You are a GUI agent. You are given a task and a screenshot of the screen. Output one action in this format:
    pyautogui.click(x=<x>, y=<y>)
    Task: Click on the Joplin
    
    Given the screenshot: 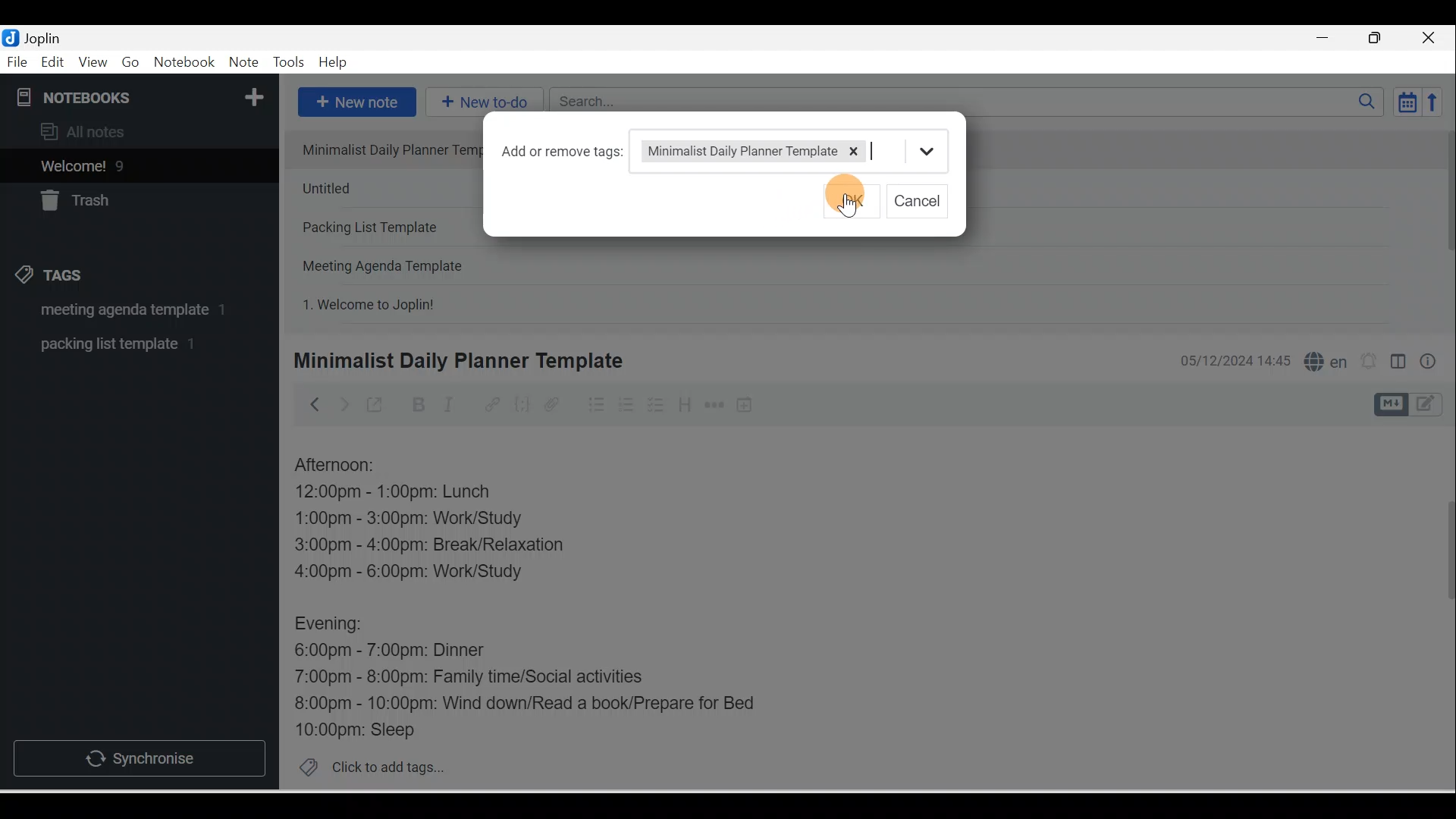 What is the action you would take?
    pyautogui.click(x=46, y=36)
    